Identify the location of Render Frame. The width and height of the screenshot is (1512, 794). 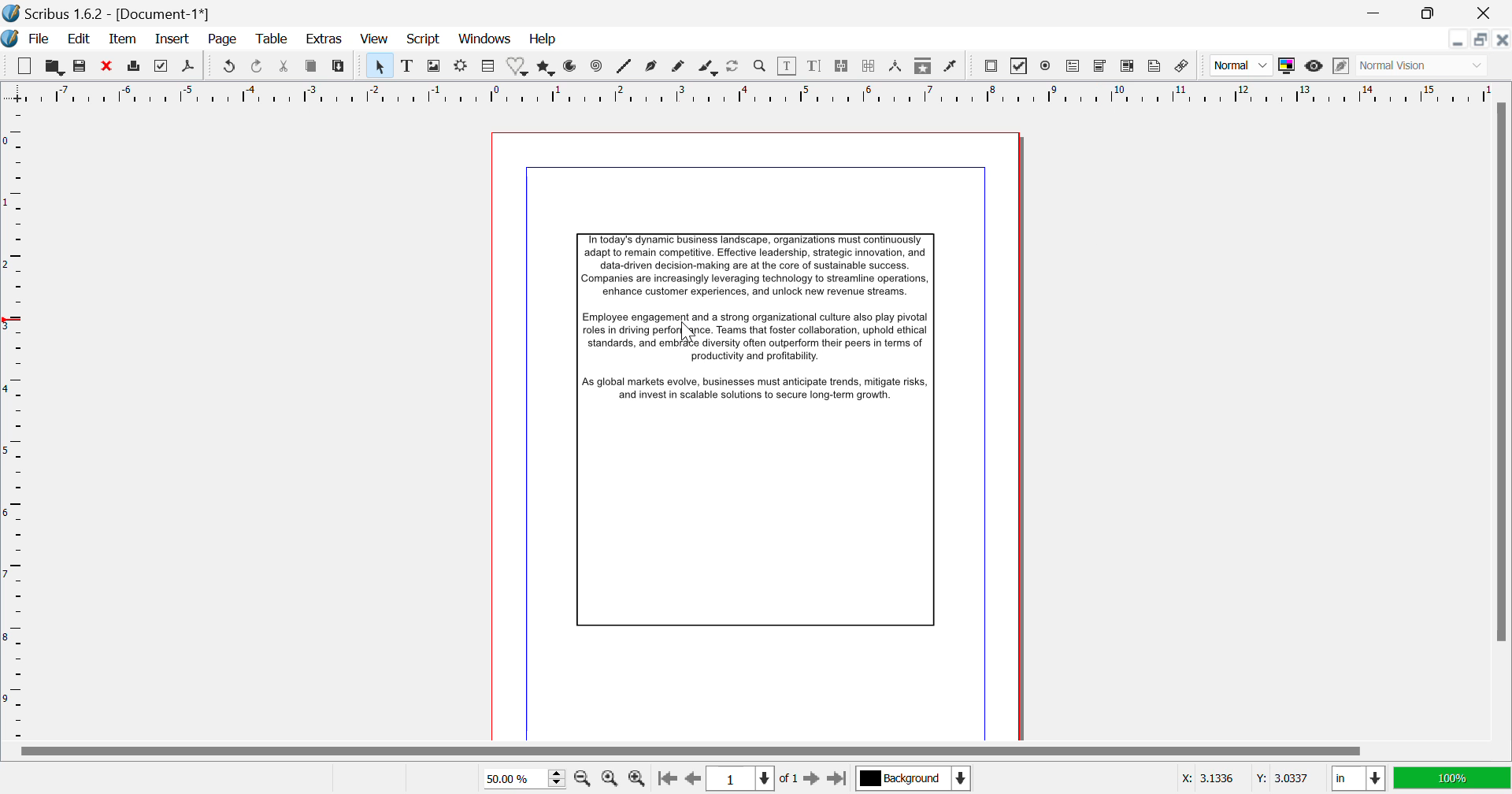
(464, 66).